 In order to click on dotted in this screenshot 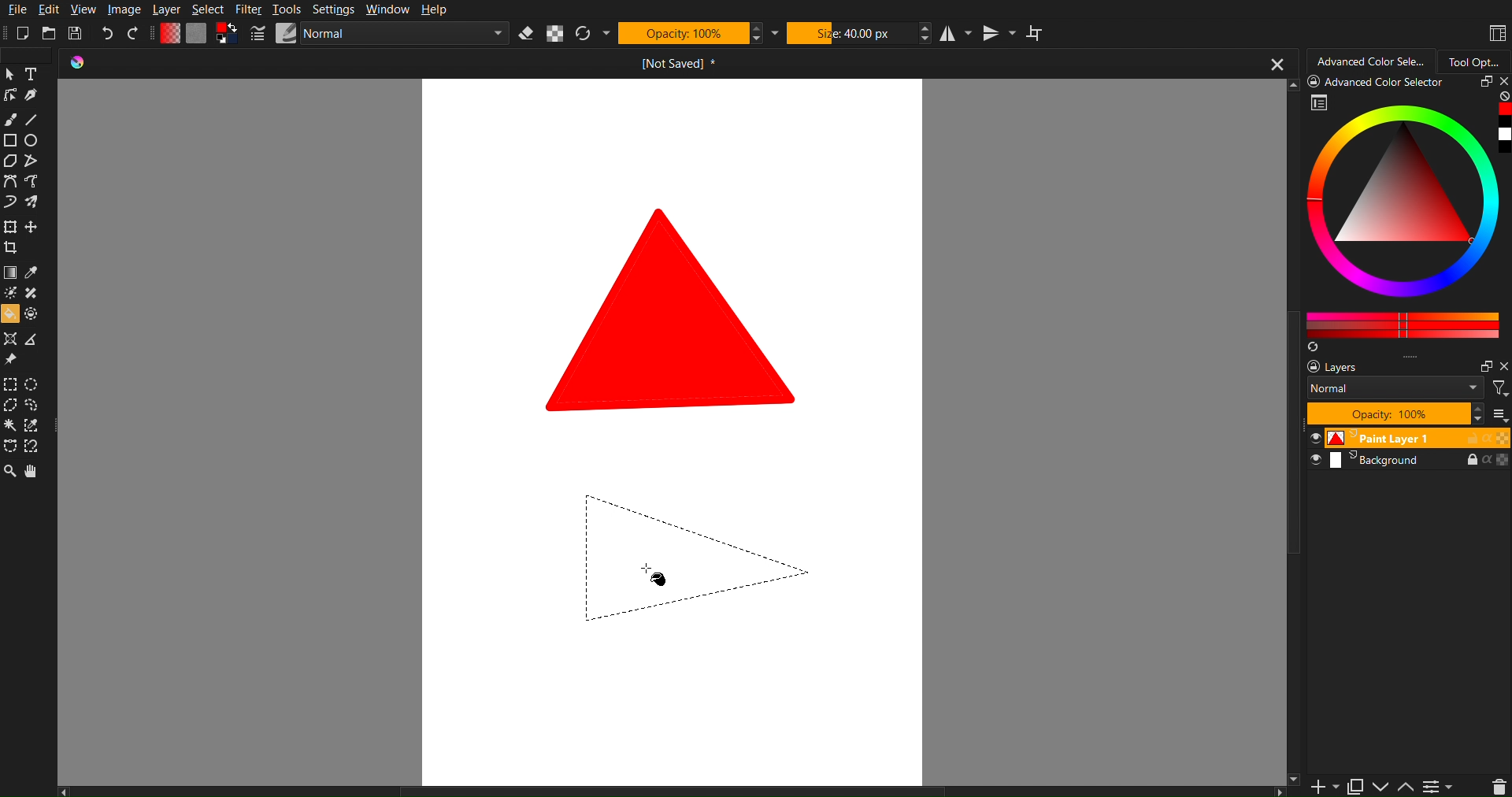, I will do `click(34, 315)`.